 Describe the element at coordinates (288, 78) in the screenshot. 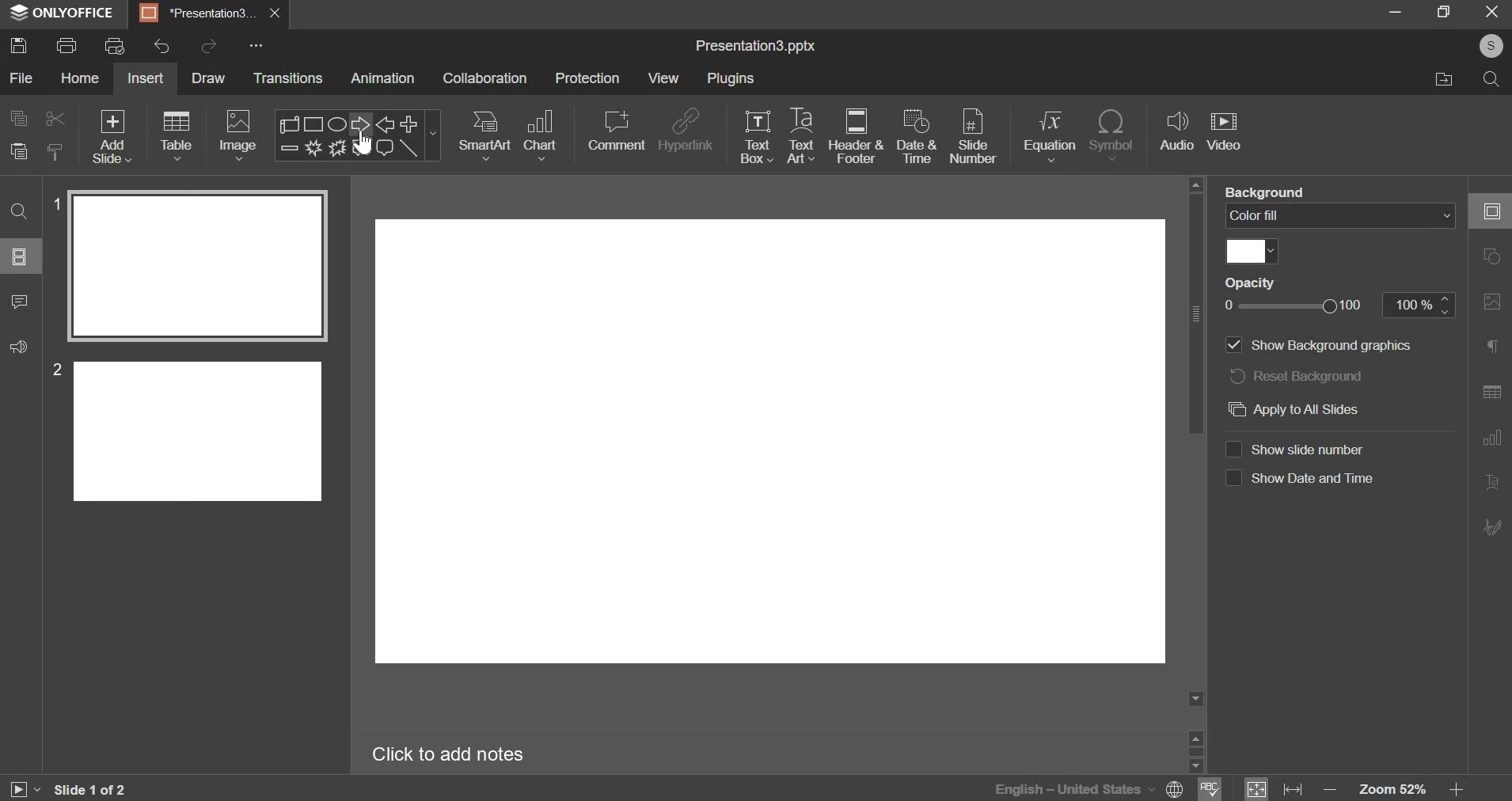

I see `transitions` at that location.